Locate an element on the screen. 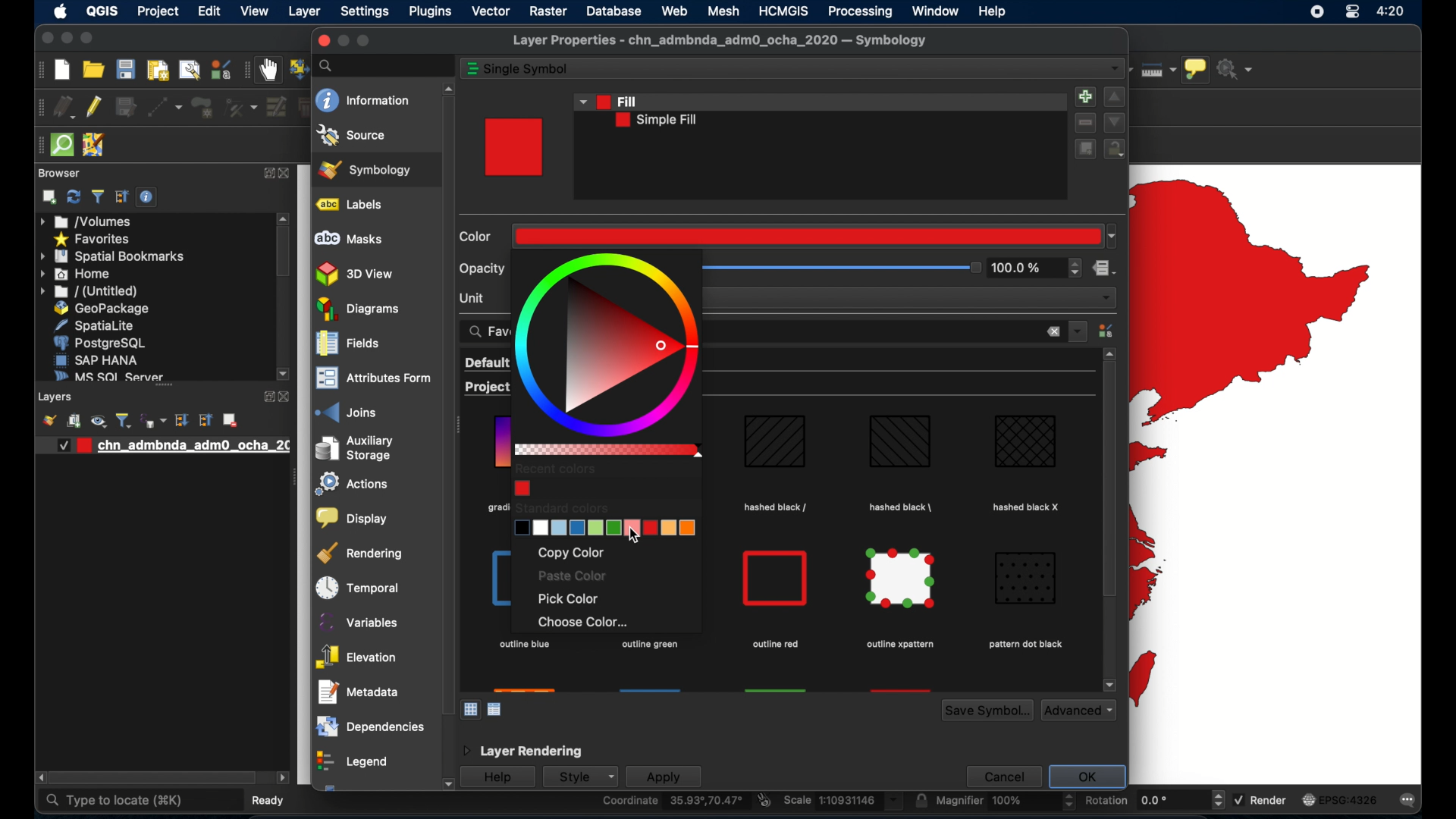 The image size is (1456, 819). move up is located at coordinates (1115, 98).